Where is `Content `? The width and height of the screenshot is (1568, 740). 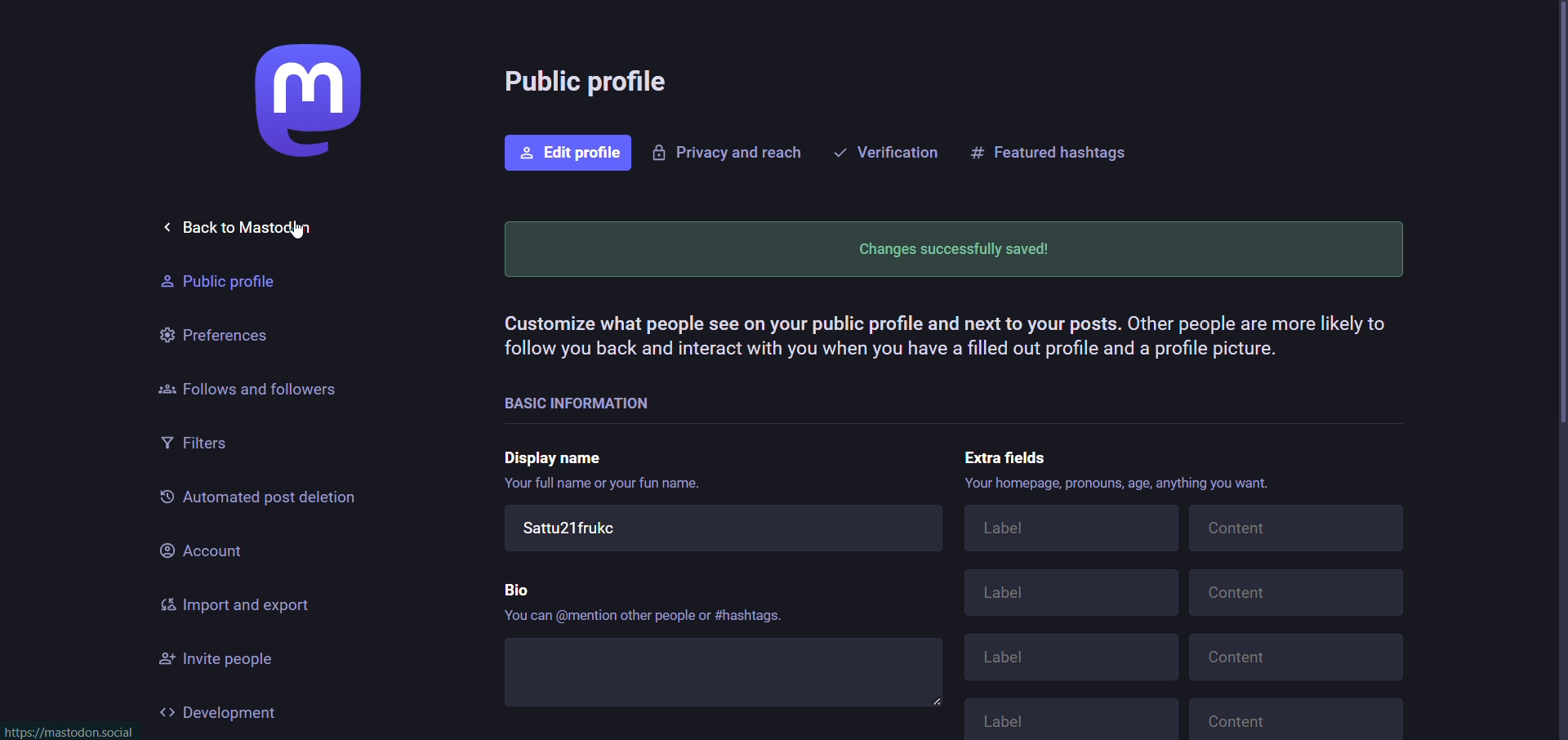
Content  is located at coordinates (1297, 595).